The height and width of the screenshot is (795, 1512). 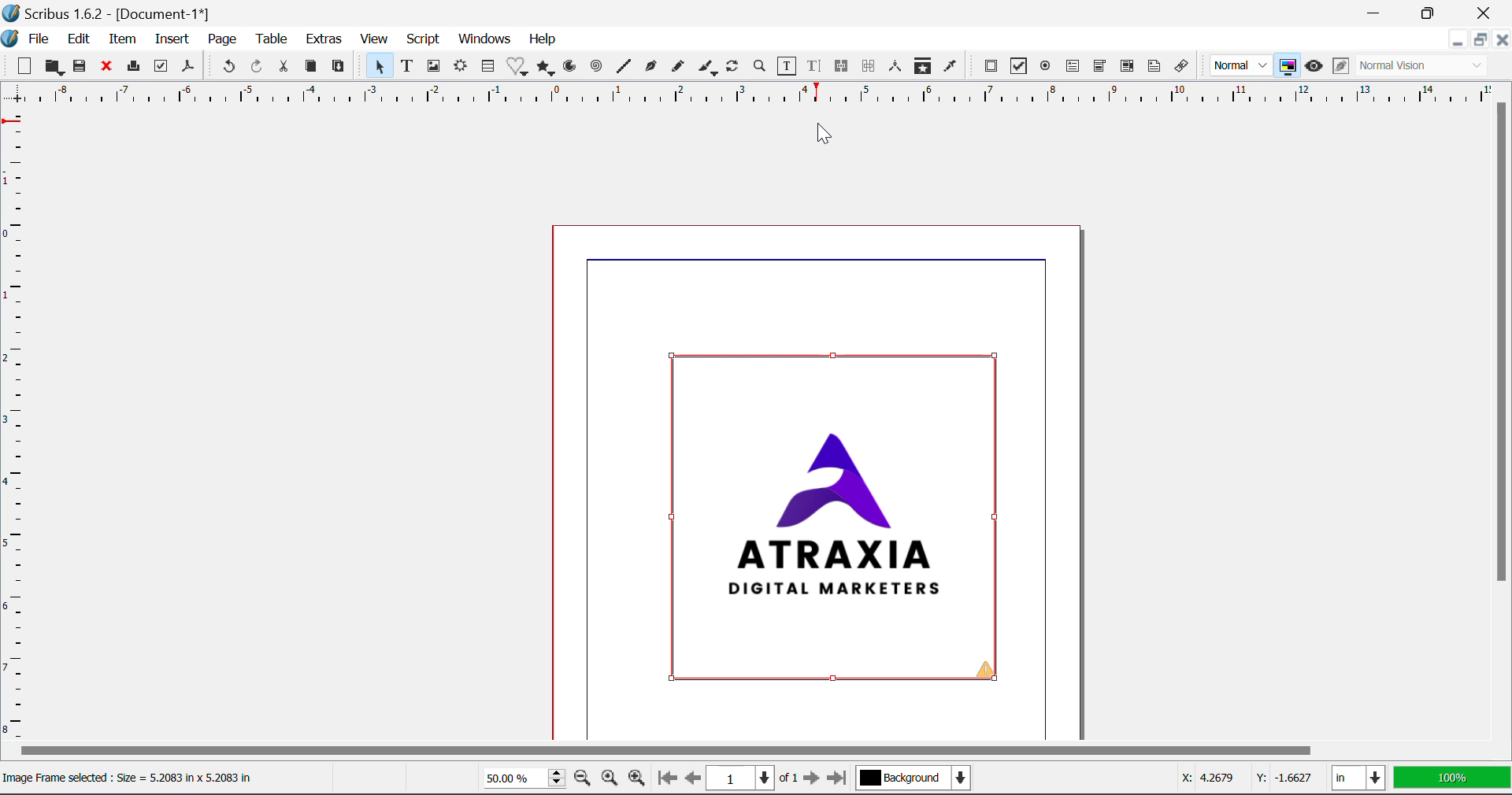 What do you see at coordinates (38, 39) in the screenshot?
I see `File` at bounding box center [38, 39].